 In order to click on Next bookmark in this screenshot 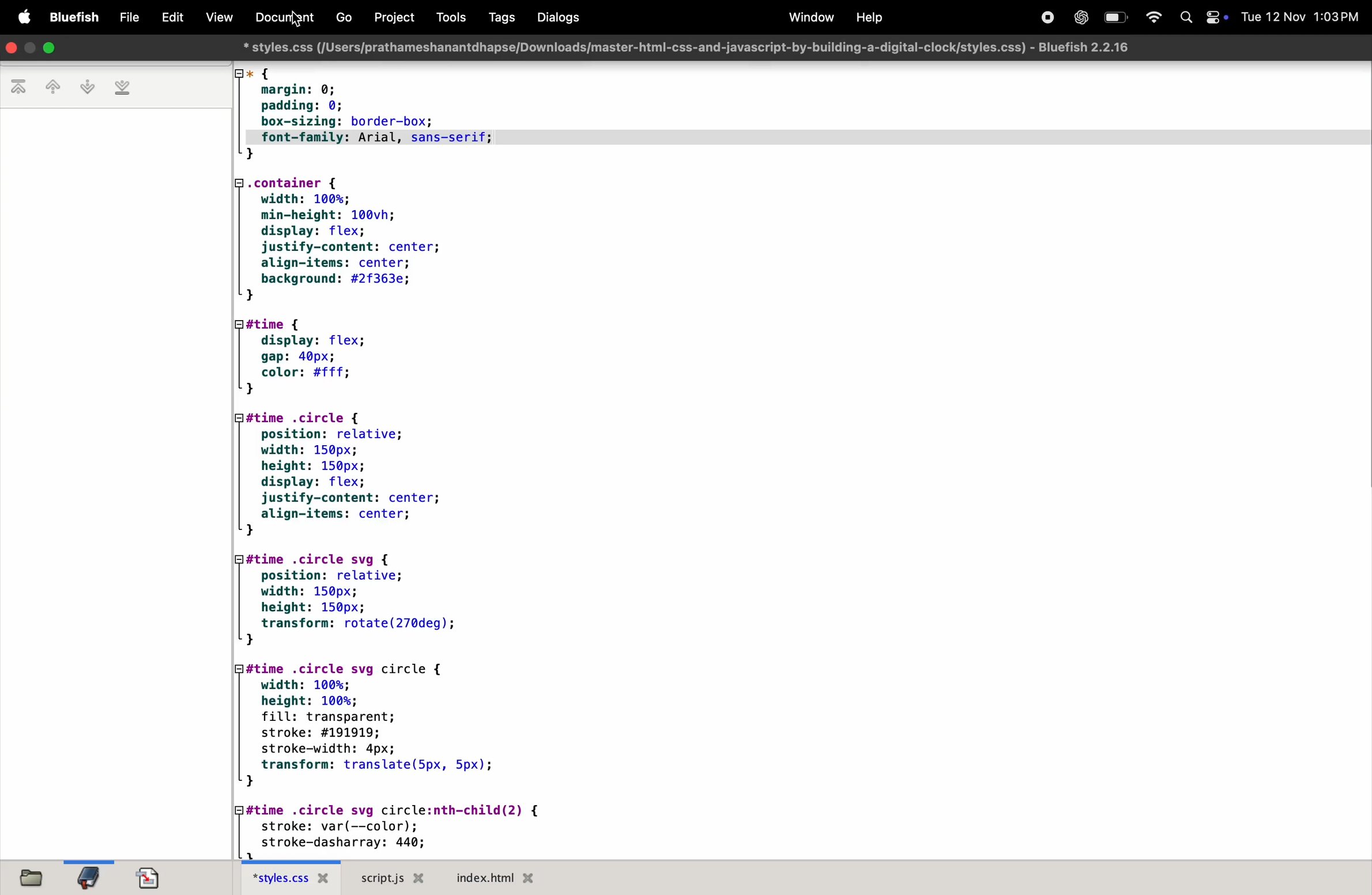, I will do `click(87, 86)`.